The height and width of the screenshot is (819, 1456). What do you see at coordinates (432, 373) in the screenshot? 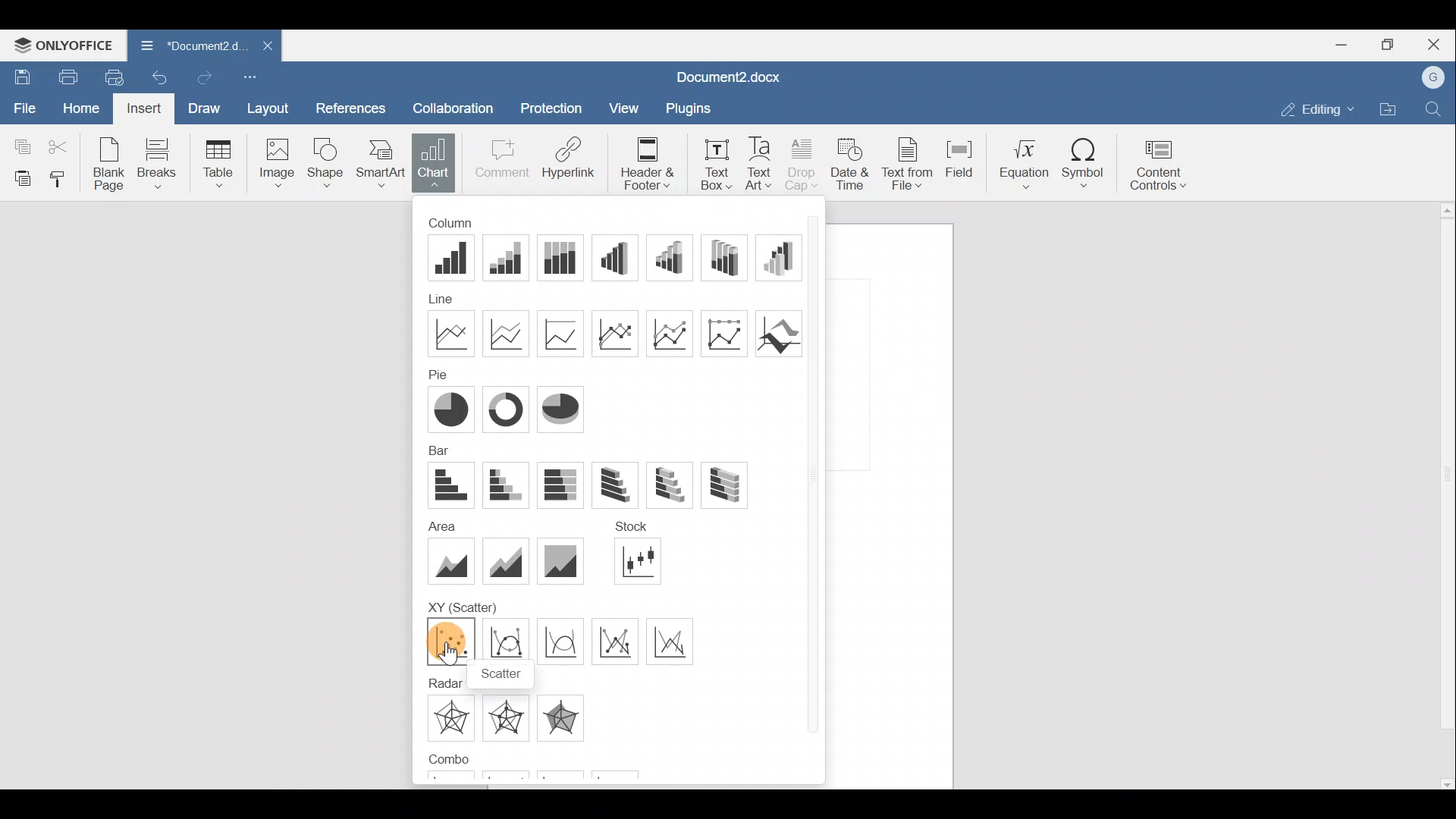
I see `Pie` at bounding box center [432, 373].